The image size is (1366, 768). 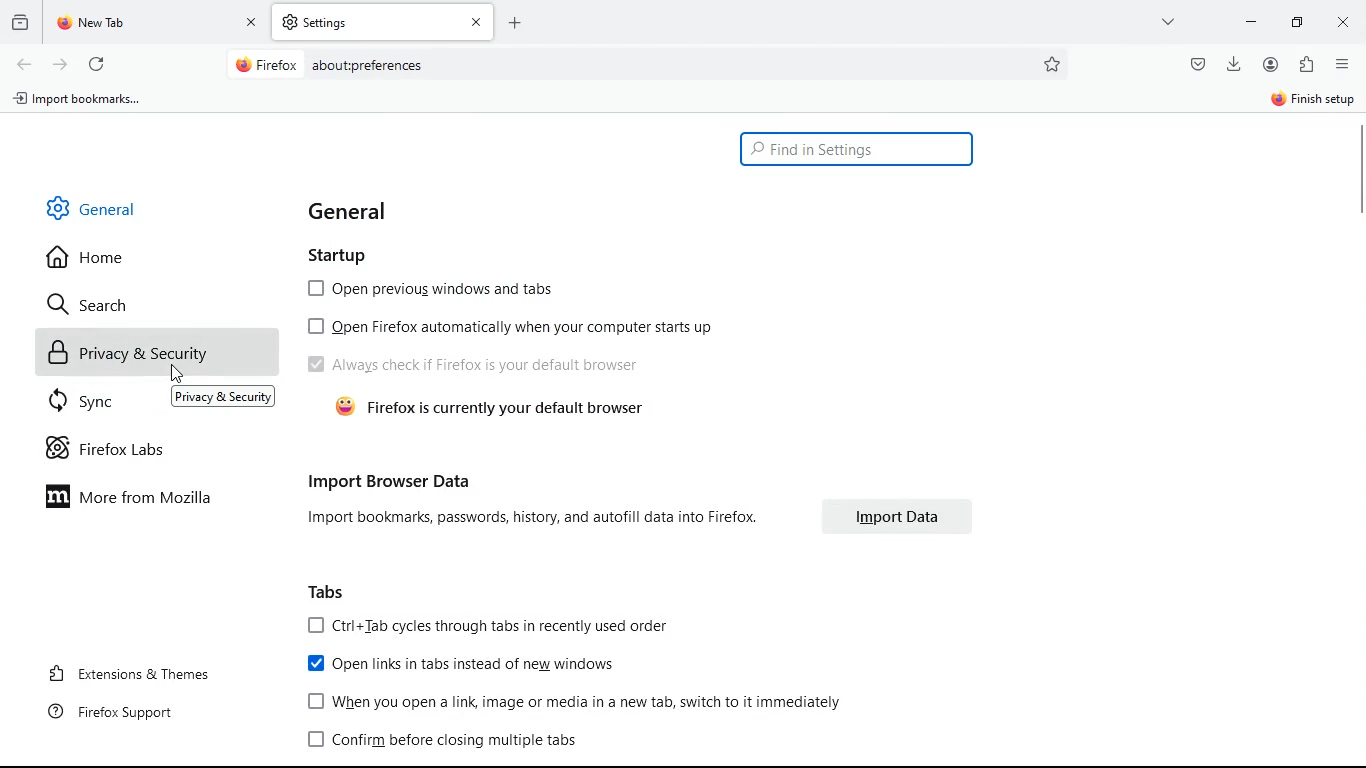 What do you see at coordinates (91, 405) in the screenshot?
I see `sync` at bounding box center [91, 405].